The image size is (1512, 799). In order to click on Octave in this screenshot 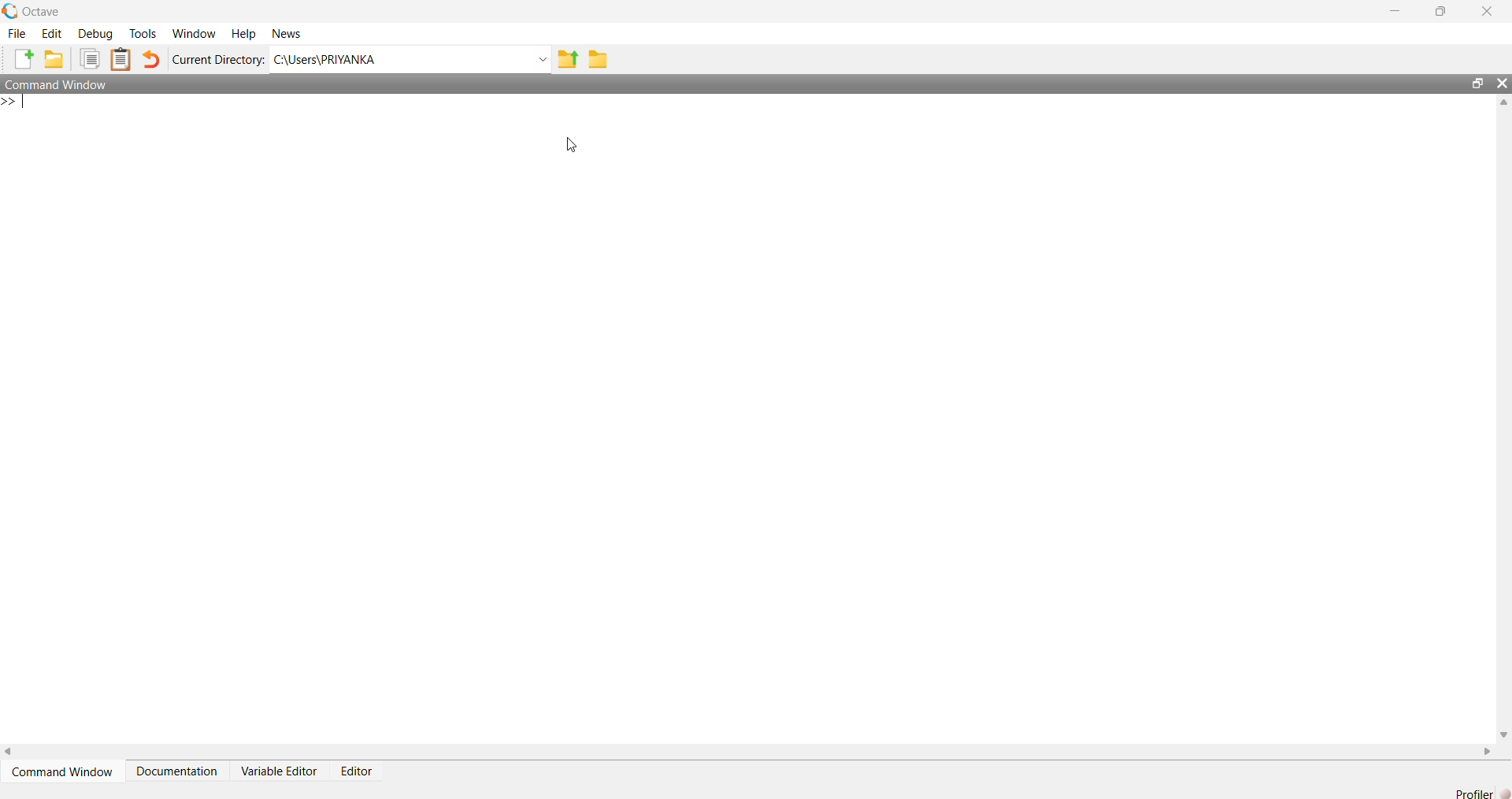, I will do `click(37, 11)`.